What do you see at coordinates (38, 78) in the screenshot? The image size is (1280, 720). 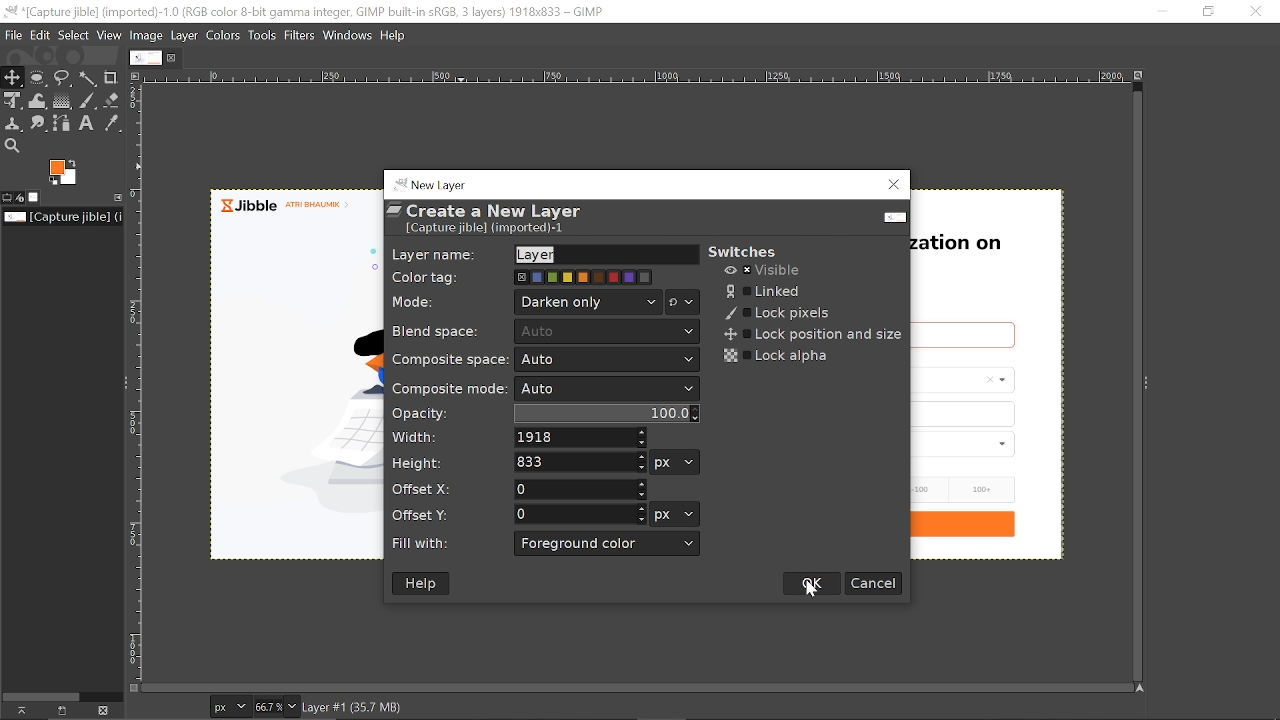 I see `Ellipse select tool` at bounding box center [38, 78].